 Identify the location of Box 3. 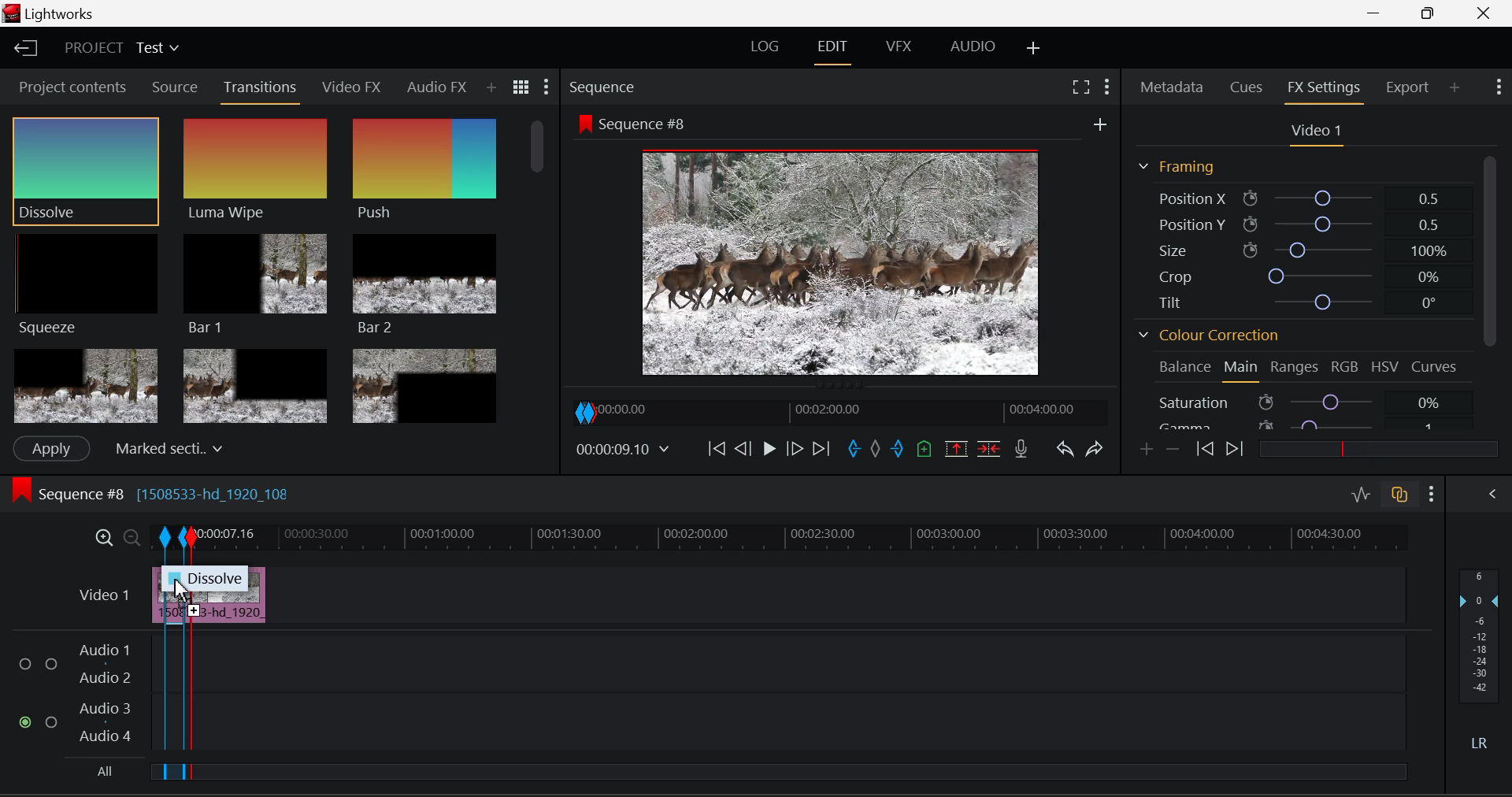
(426, 383).